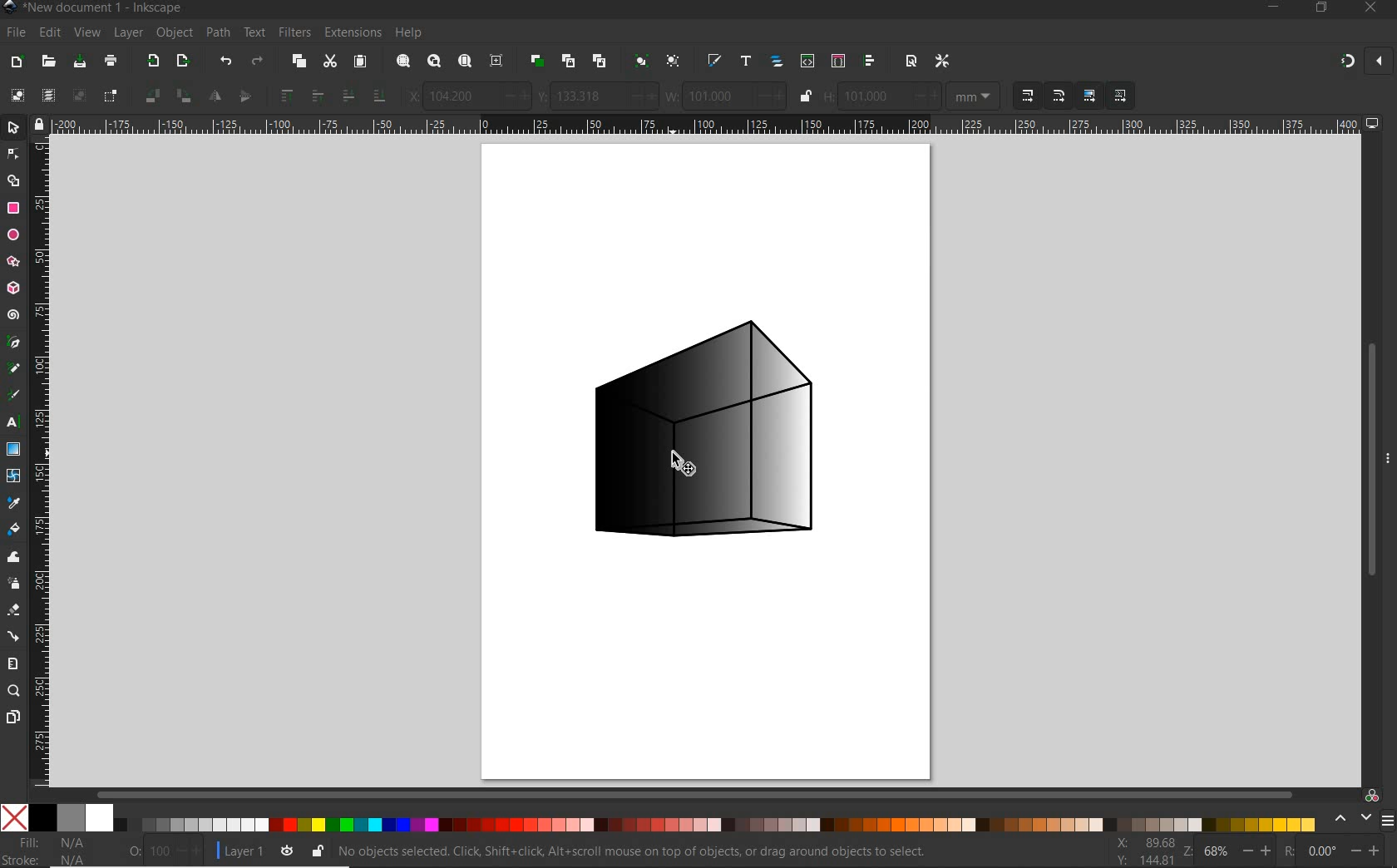  Describe the element at coordinates (1258, 850) in the screenshot. I see `increase/decrease` at that location.